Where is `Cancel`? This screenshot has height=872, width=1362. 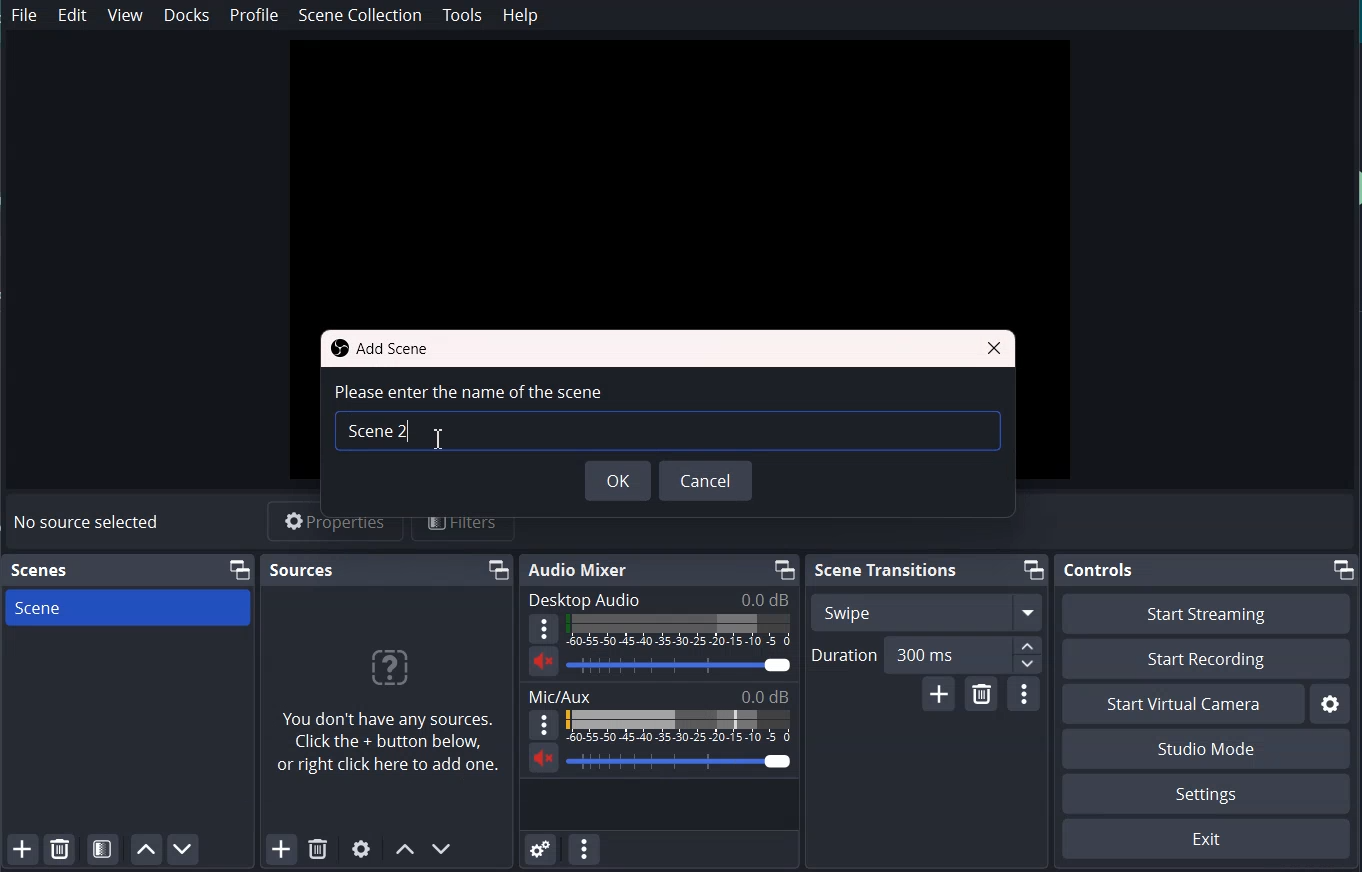 Cancel is located at coordinates (706, 482).